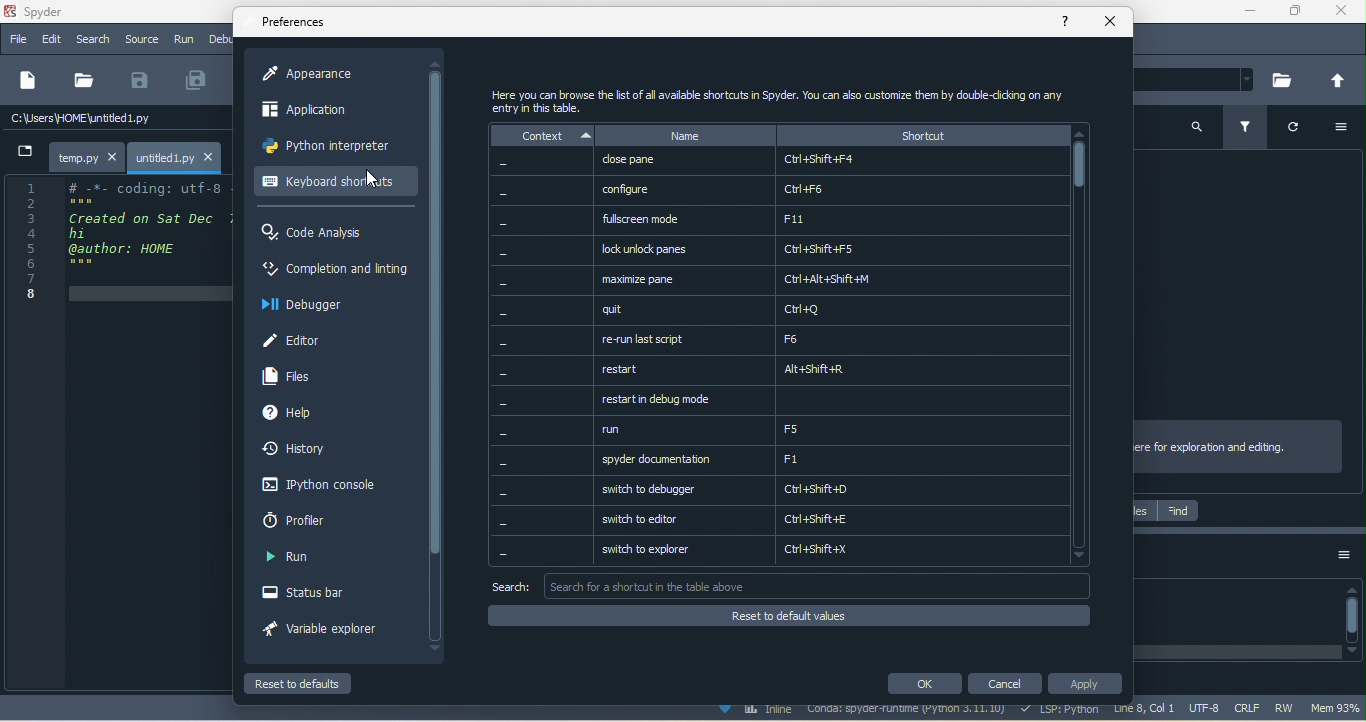  What do you see at coordinates (1338, 129) in the screenshot?
I see `option` at bounding box center [1338, 129].